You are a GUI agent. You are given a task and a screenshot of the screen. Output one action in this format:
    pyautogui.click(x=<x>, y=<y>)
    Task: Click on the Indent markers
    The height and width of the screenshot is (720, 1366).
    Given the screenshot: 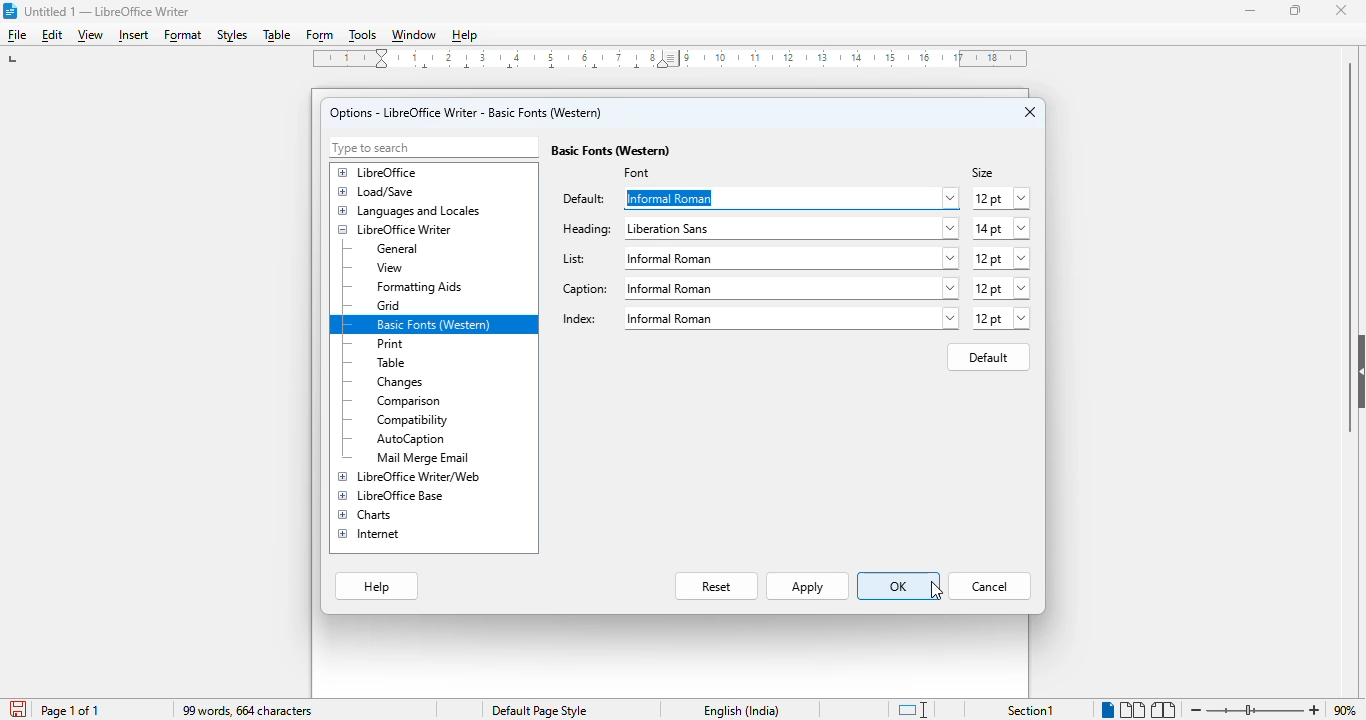 What is the action you would take?
    pyautogui.click(x=382, y=58)
    